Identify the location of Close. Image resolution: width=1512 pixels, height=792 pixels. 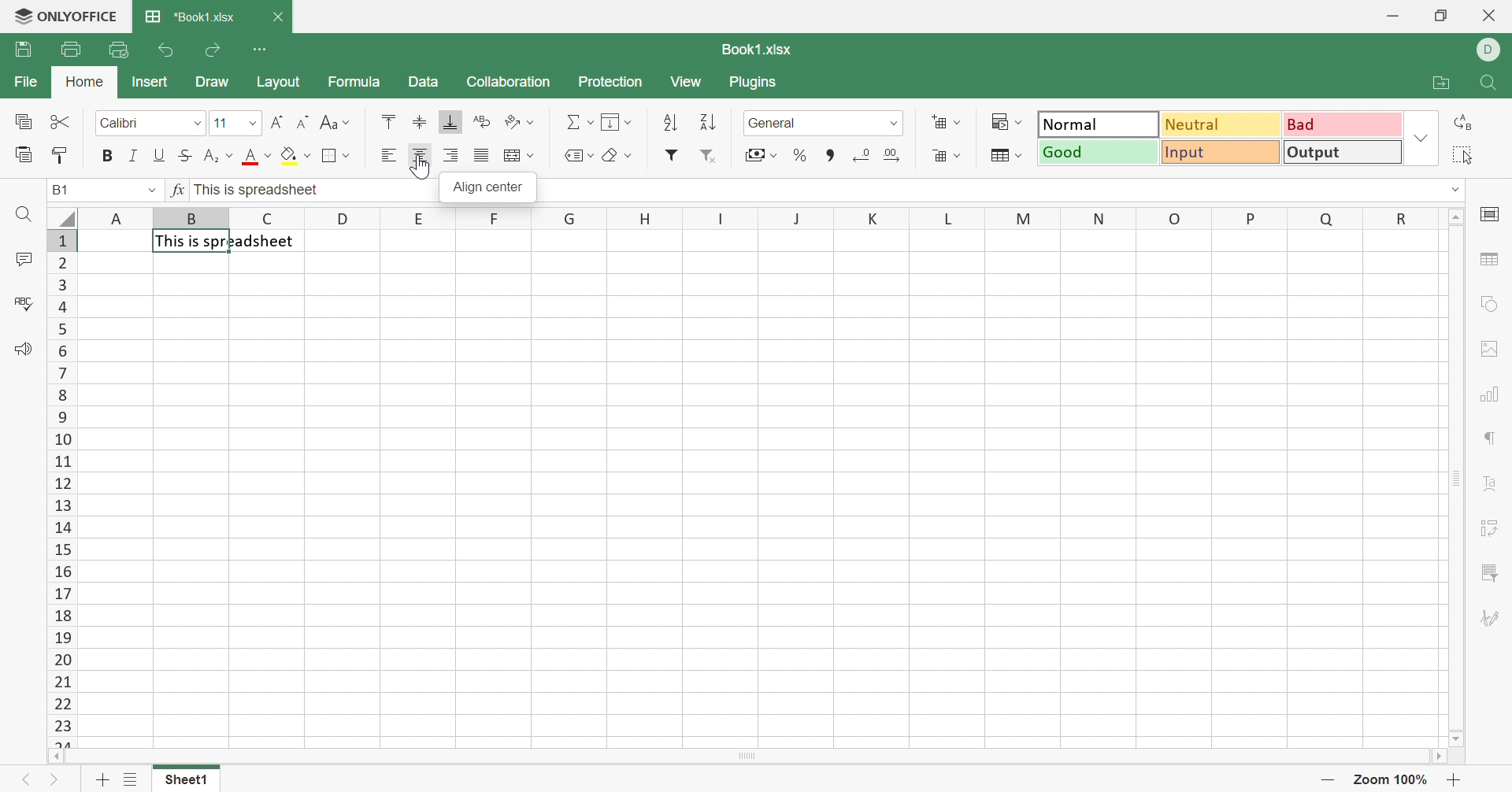
(280, 17).